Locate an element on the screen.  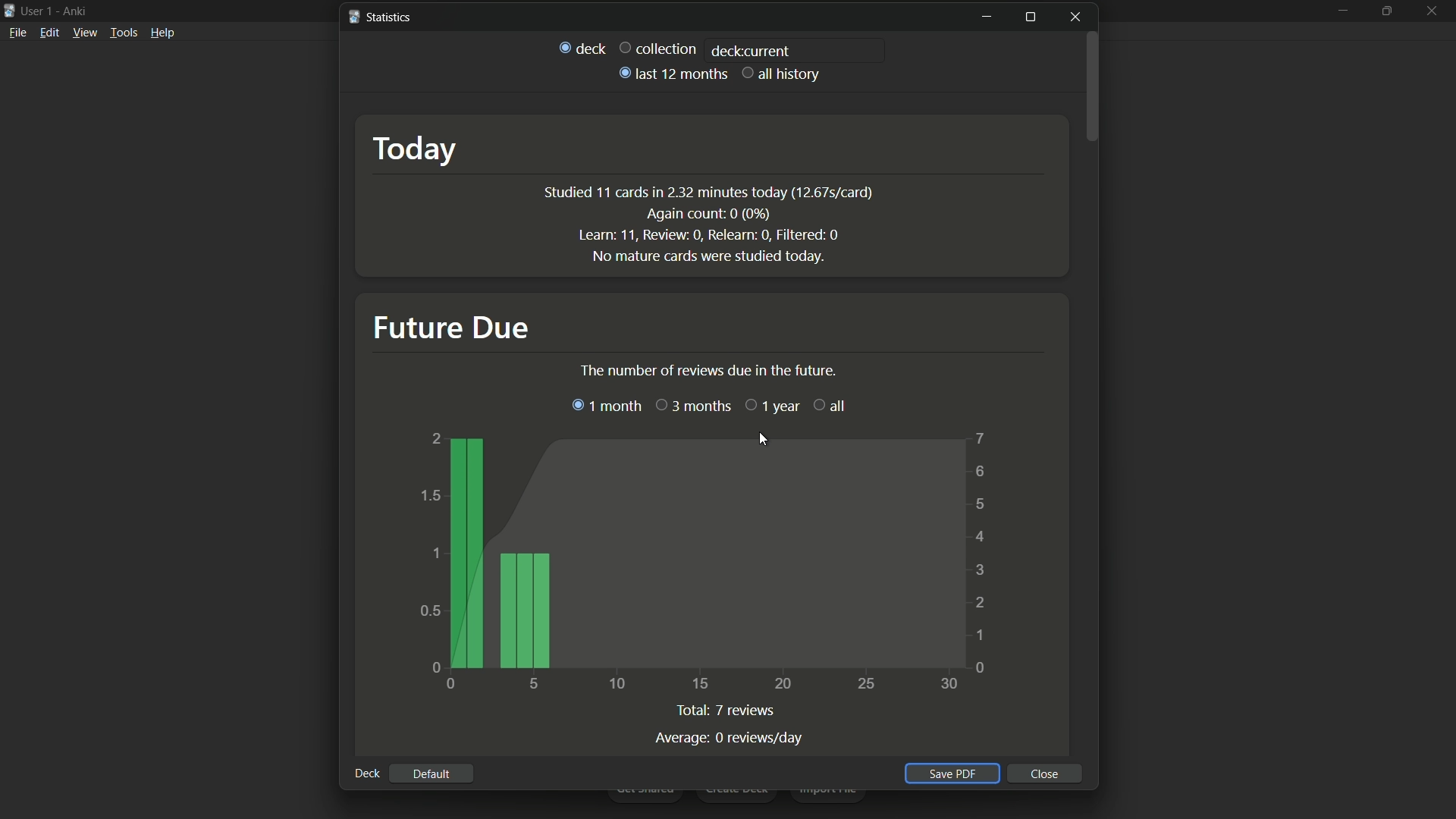
close window is located at coordinates (1078, 17).